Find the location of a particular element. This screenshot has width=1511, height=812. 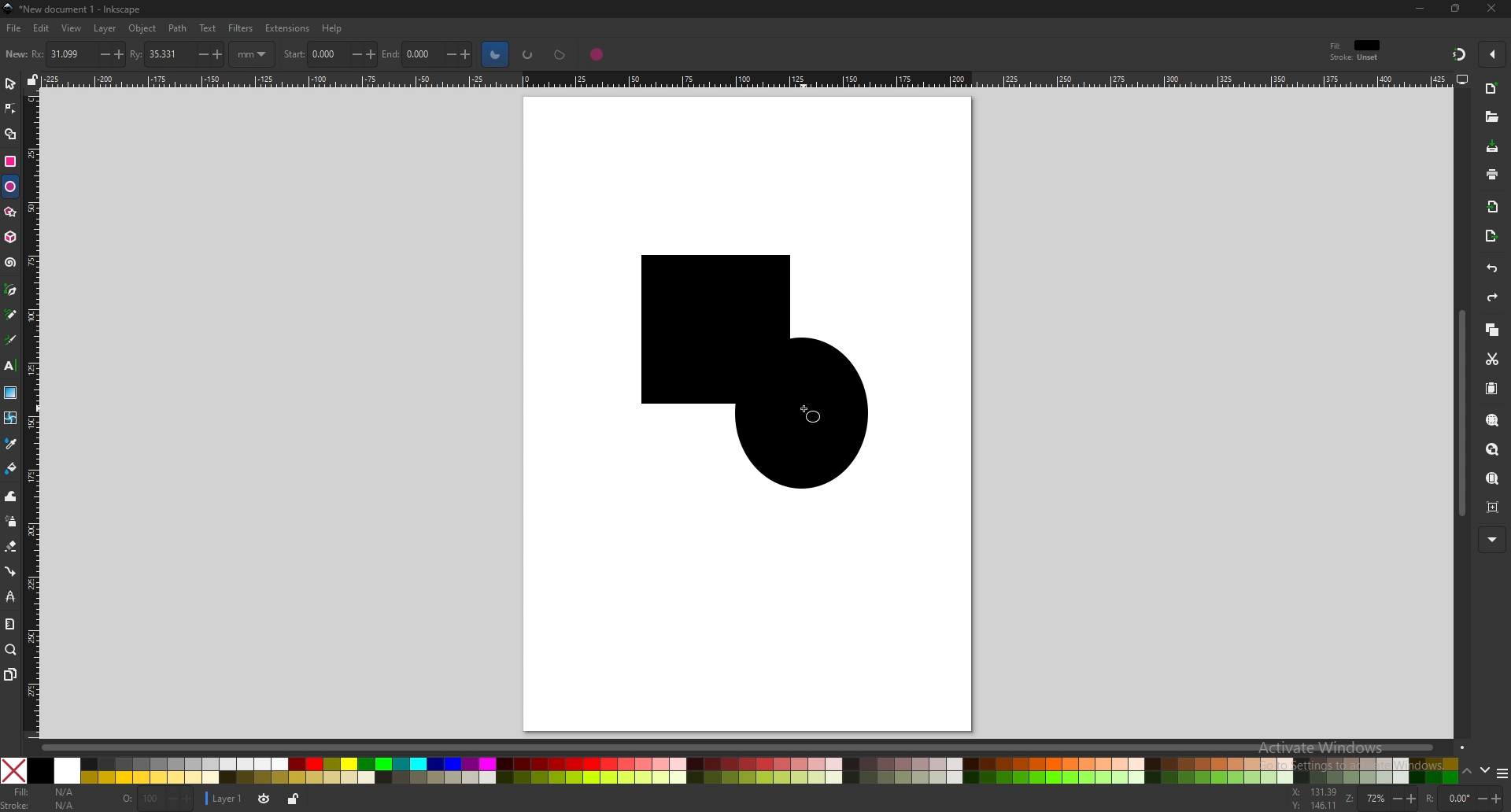

extensions is located at coordinates (286, 28).